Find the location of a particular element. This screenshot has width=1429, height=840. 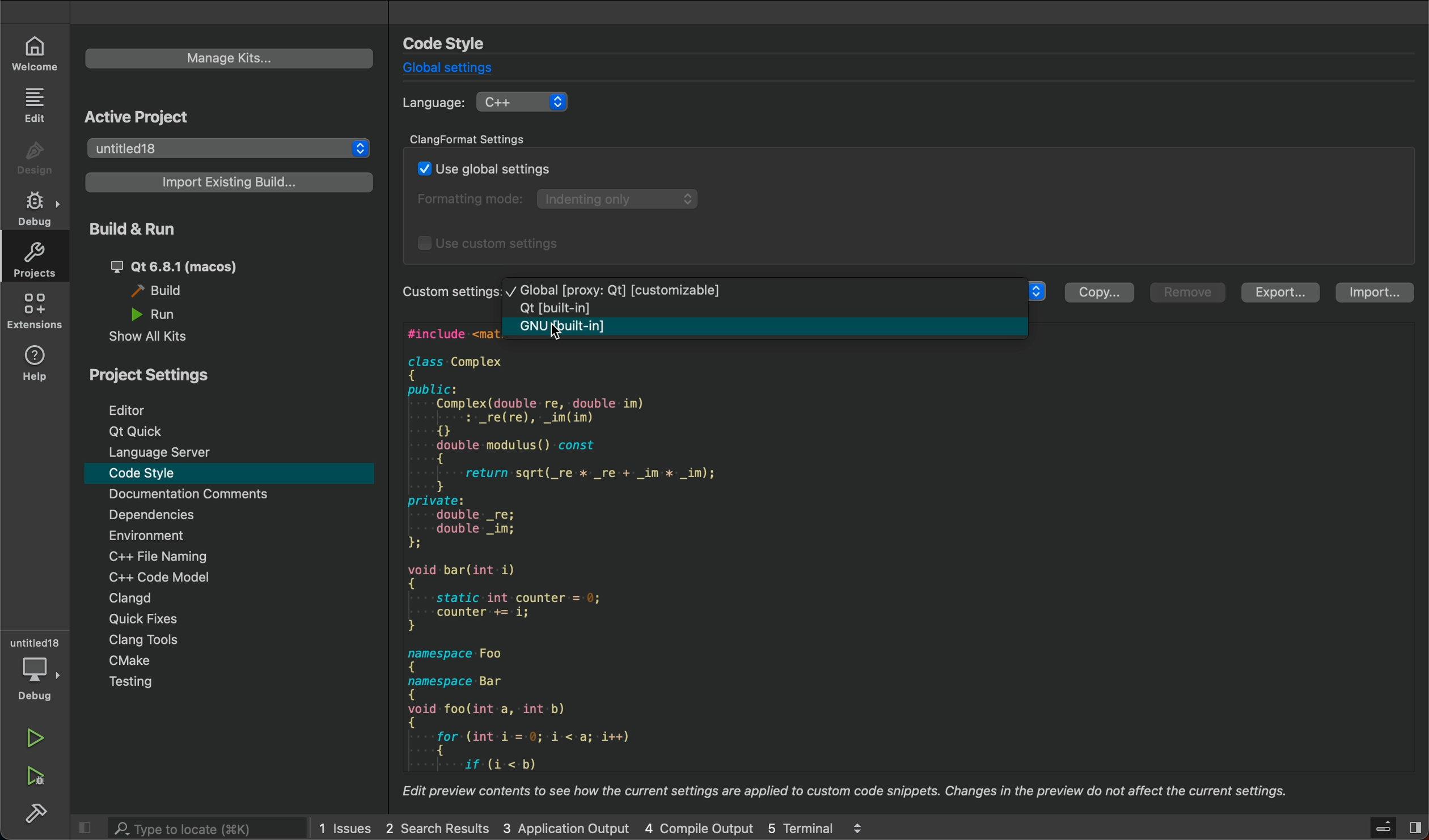

Testing  is located at coordinates (142, 682).